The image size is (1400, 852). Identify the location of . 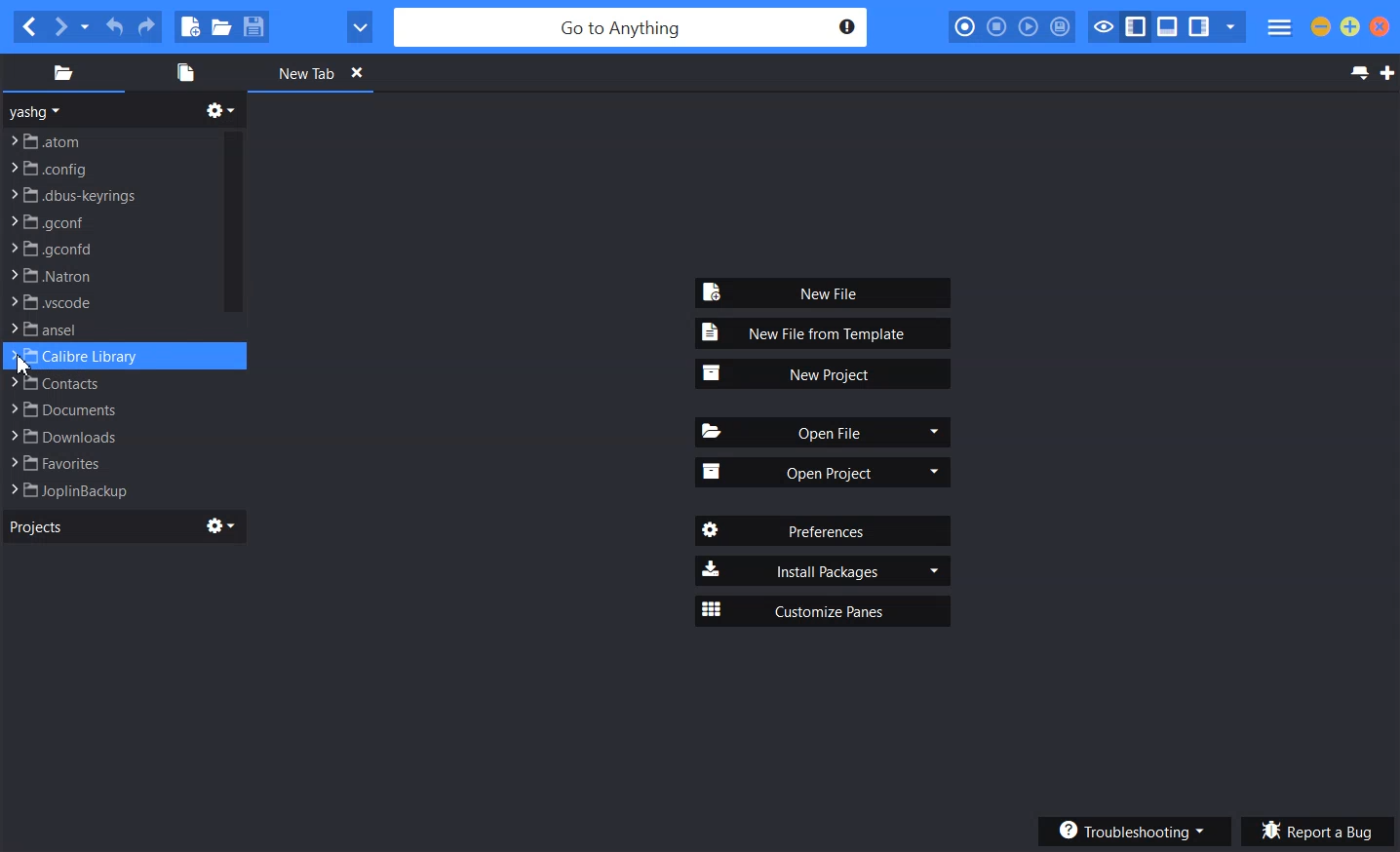
(109, 221).